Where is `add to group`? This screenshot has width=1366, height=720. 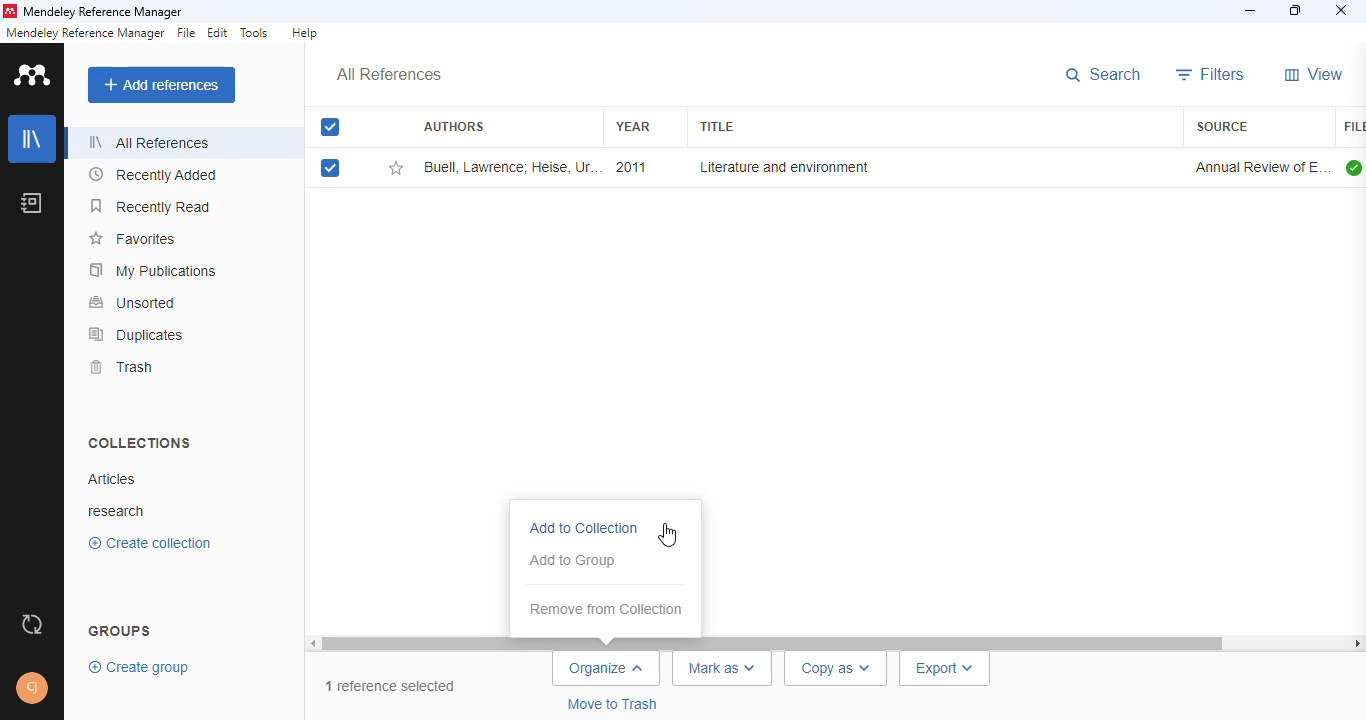 add to group is located at coordinates (573, 561).